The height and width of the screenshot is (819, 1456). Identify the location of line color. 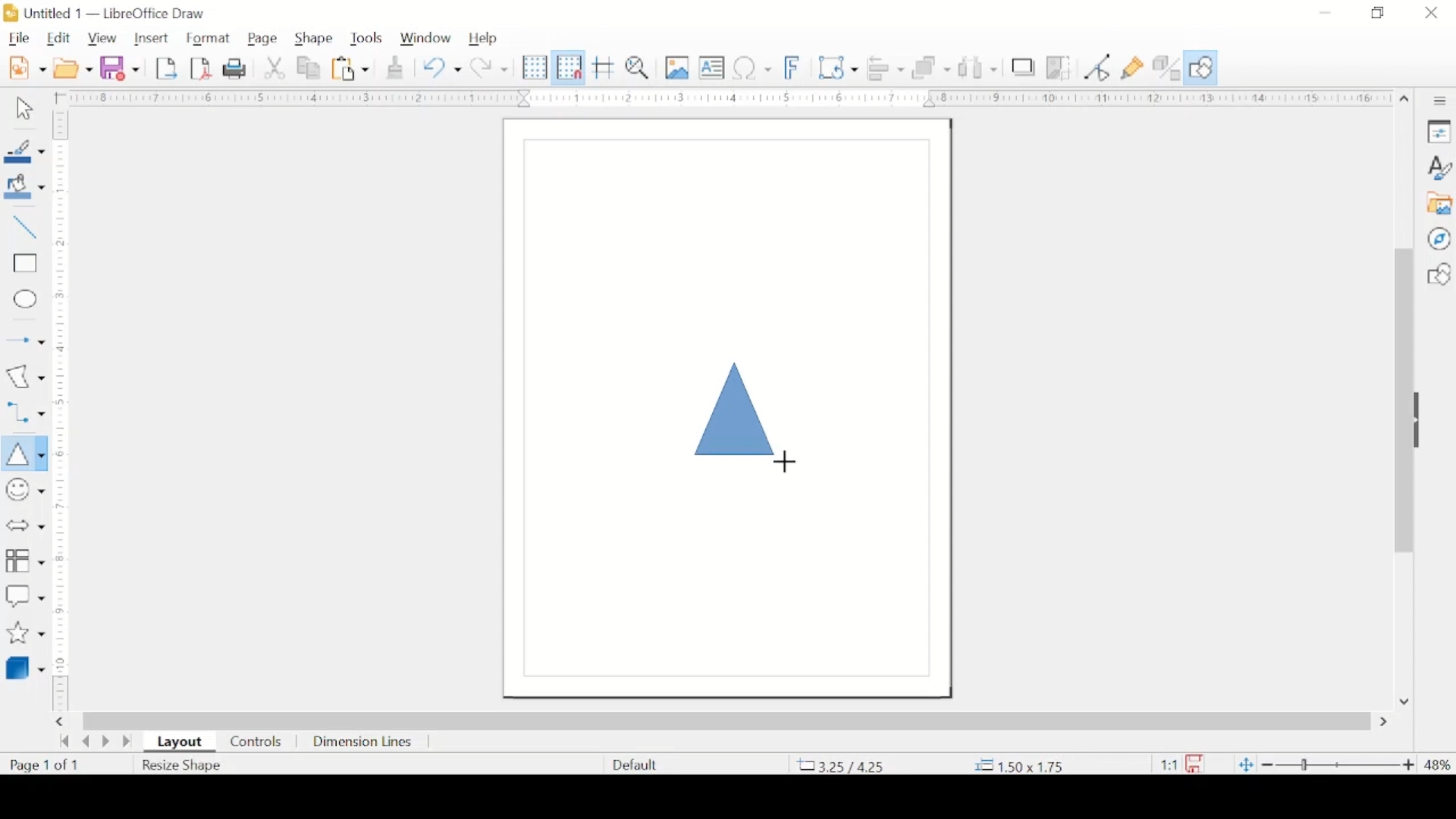
(24, 151).